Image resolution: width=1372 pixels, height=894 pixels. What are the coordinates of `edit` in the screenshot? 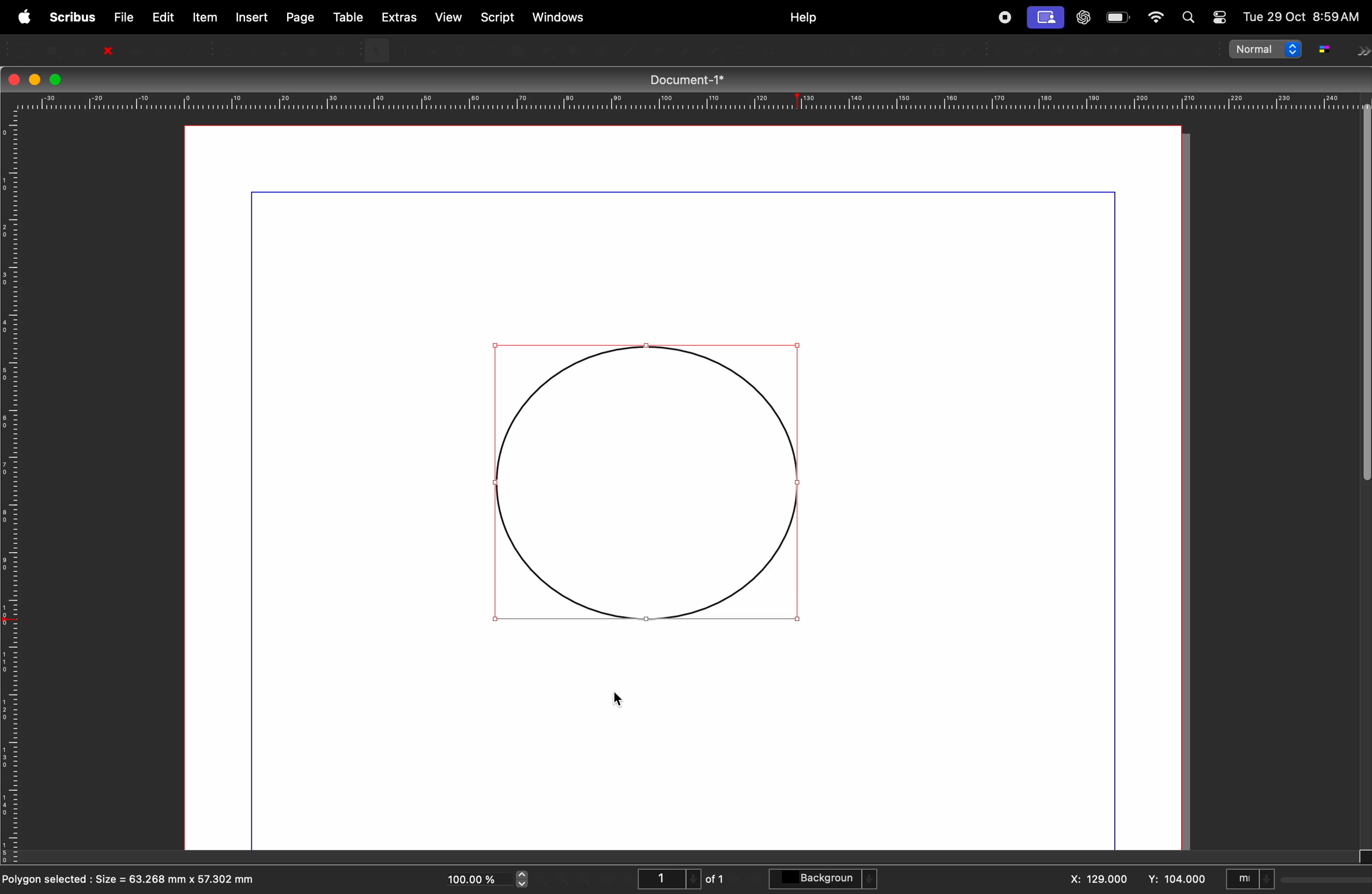 It's located at (163, 16).